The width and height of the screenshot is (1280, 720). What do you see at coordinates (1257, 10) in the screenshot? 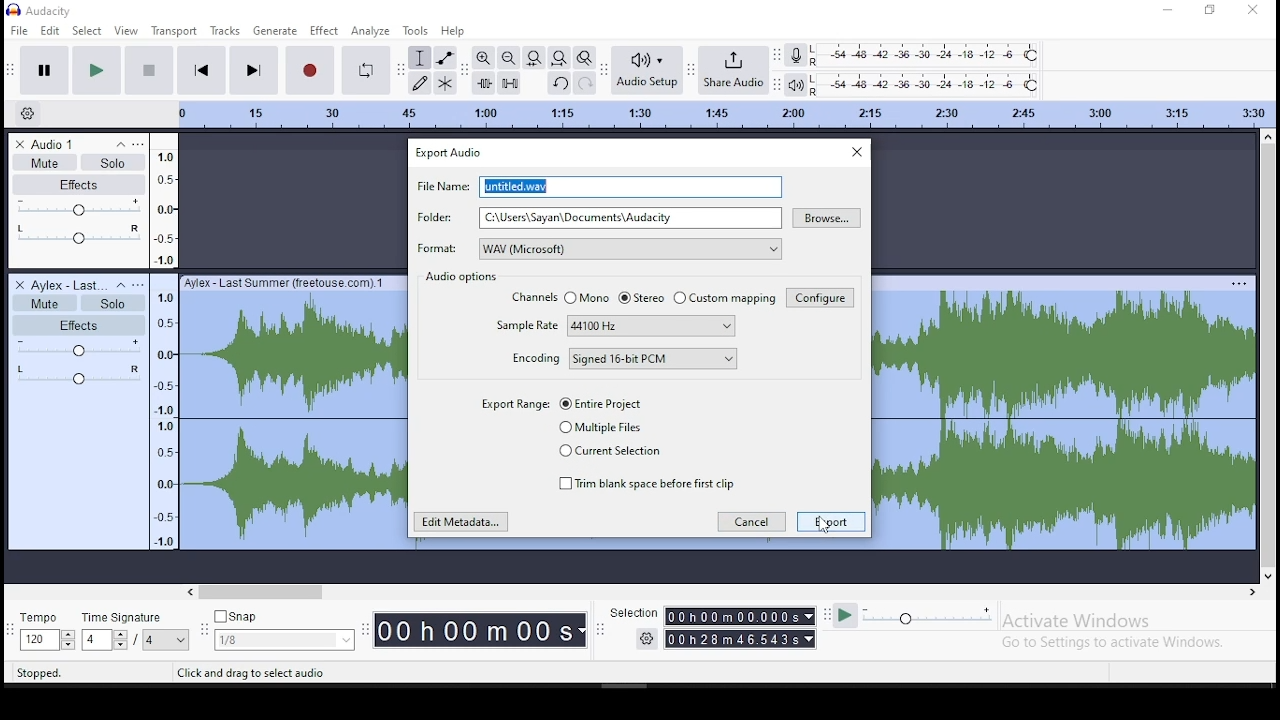
I see `close window` at bounding box center [1257, 10].